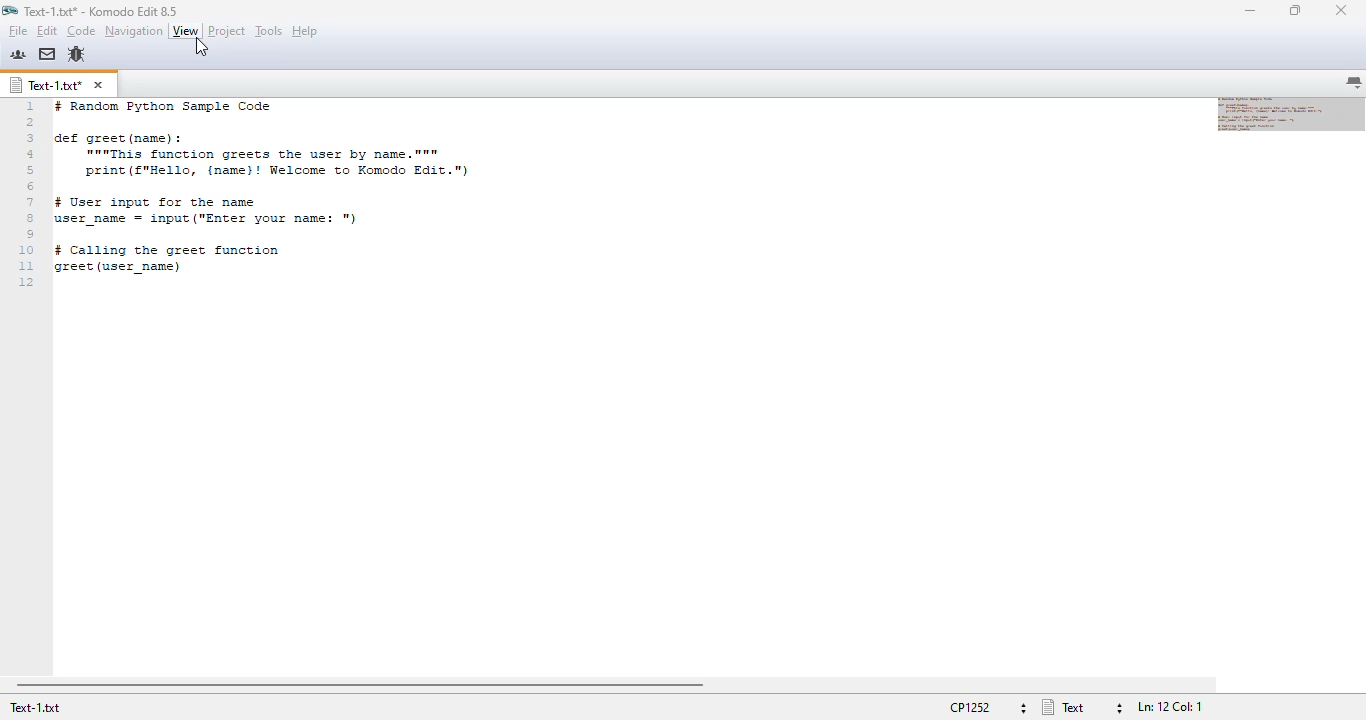 The height and width of the screenshot is (720, 1366). I want to click on file type, so click(1083, 707).